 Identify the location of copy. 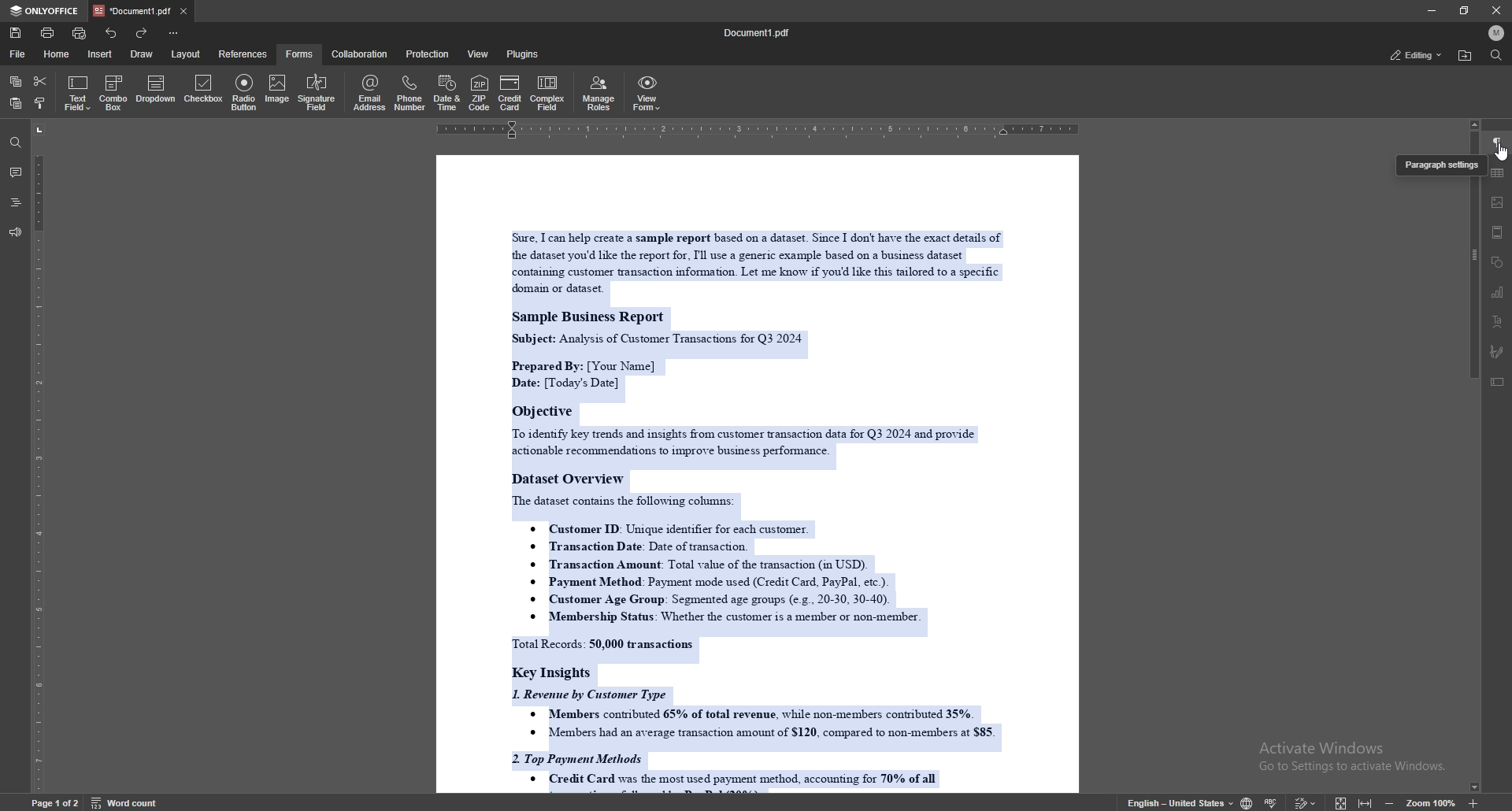
(16, 82).